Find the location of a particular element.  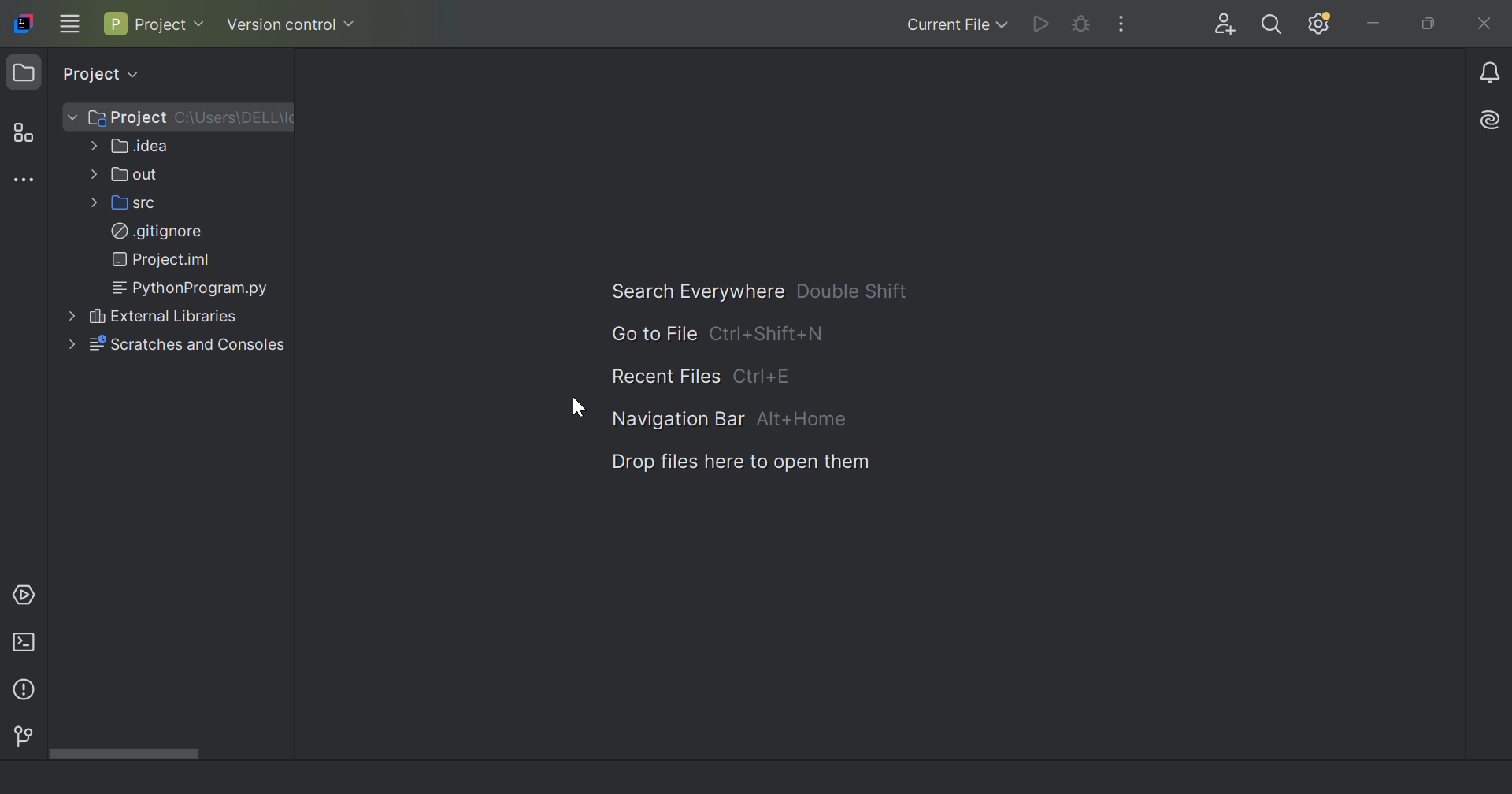

Ctrl+E is located at coordinates (769, 375).